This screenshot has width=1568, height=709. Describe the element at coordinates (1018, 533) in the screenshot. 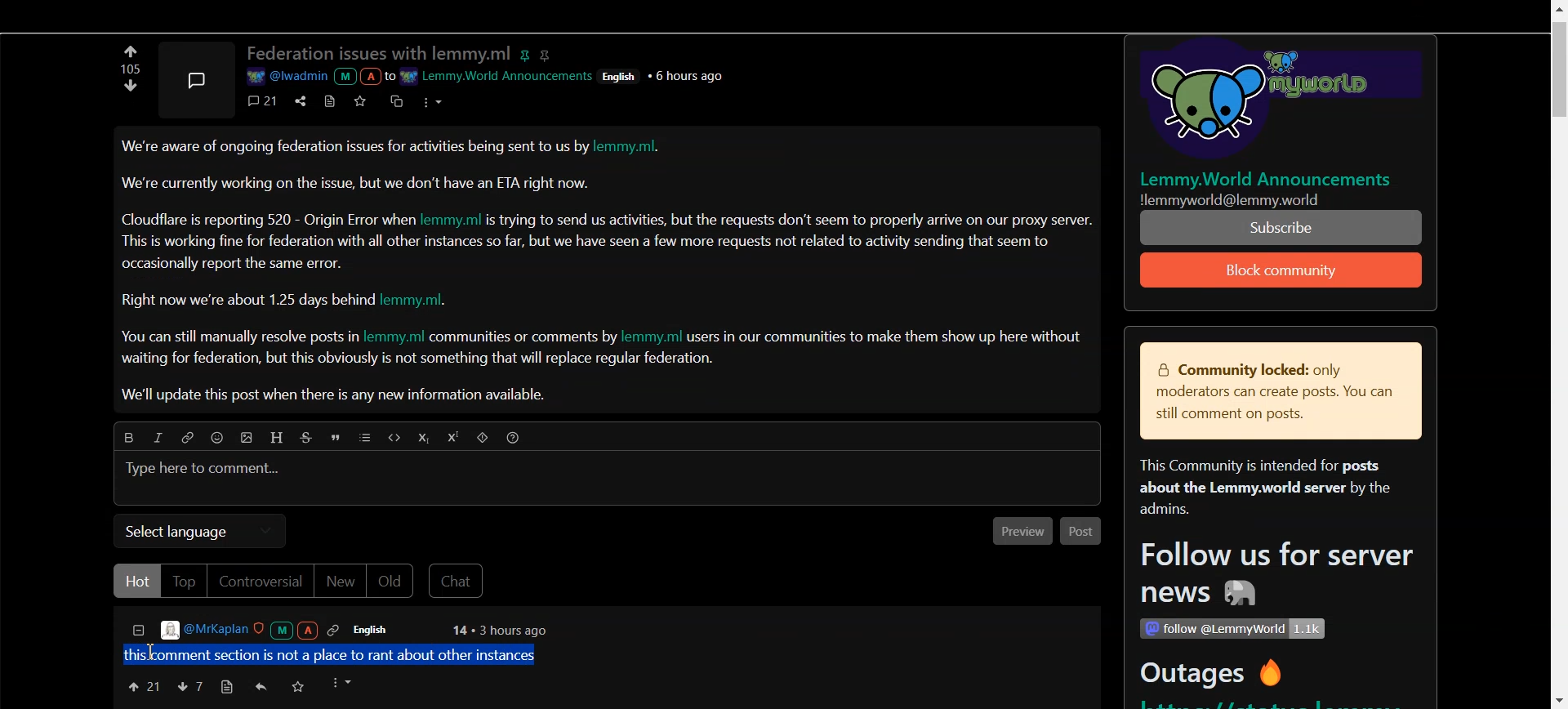

I see `Preview` at that location.